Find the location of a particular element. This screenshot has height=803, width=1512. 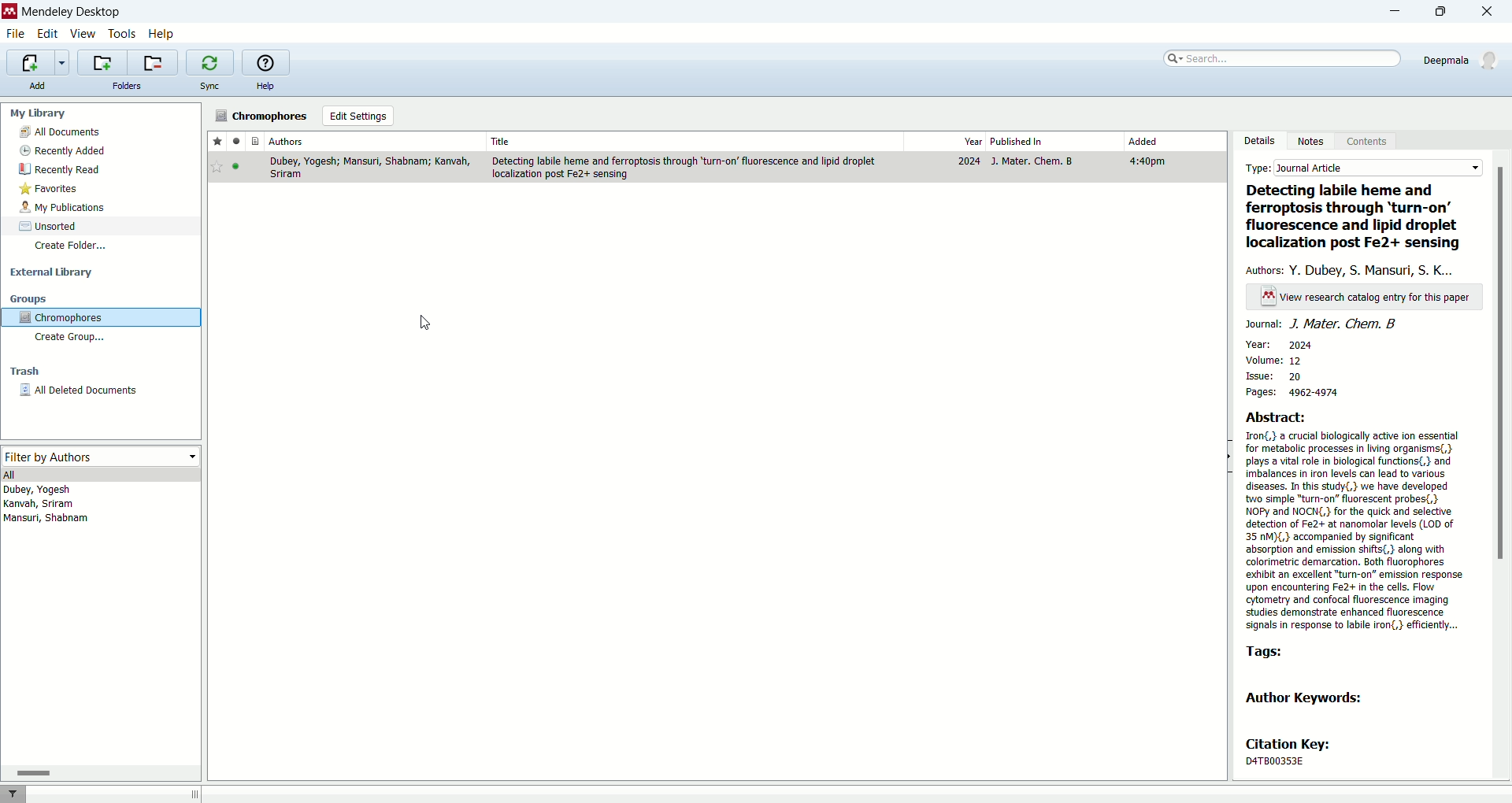

chromophores is located at coordinates (262, 117).